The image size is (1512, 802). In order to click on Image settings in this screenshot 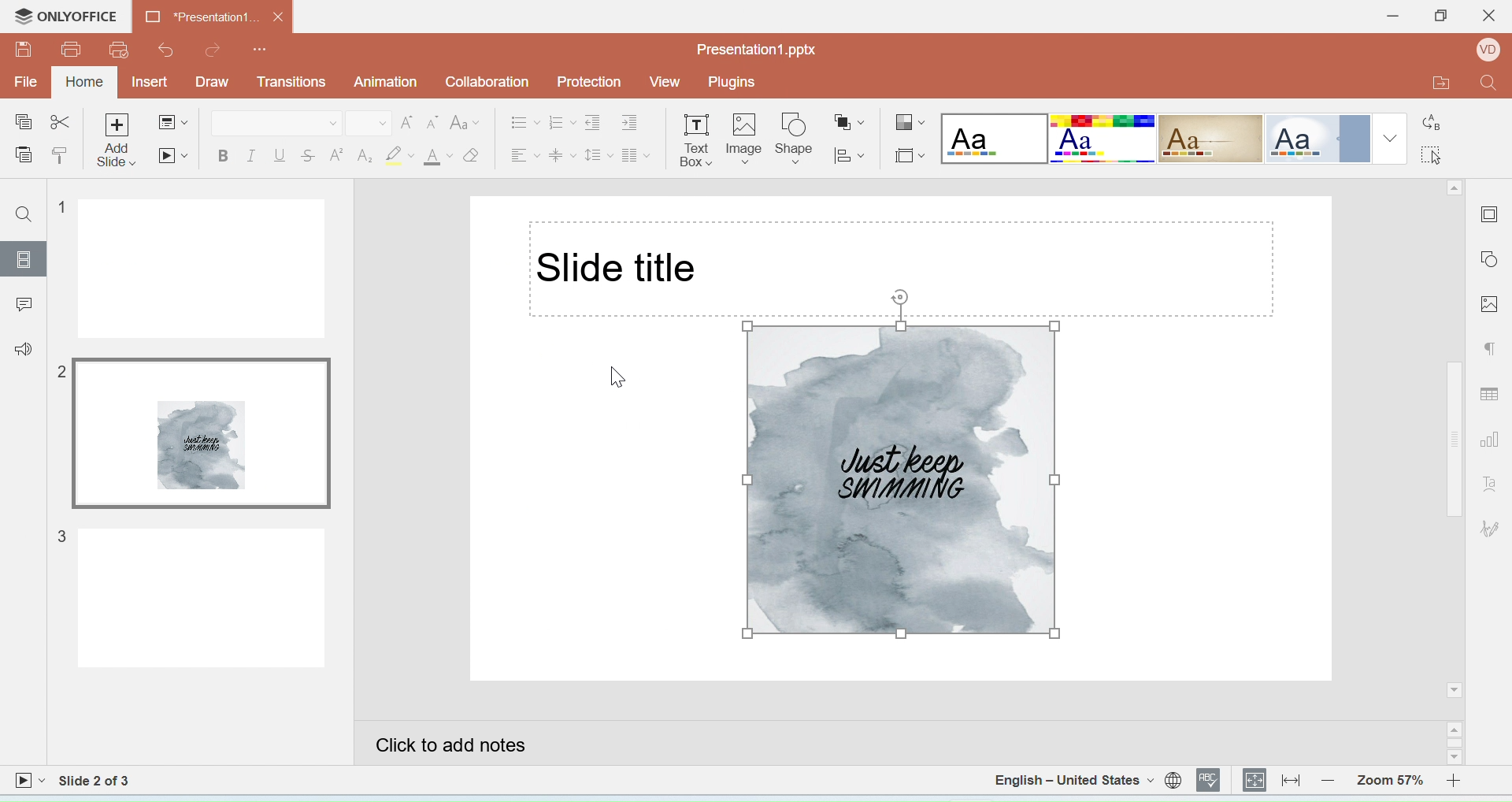, I will do `click(1492, 303)`.